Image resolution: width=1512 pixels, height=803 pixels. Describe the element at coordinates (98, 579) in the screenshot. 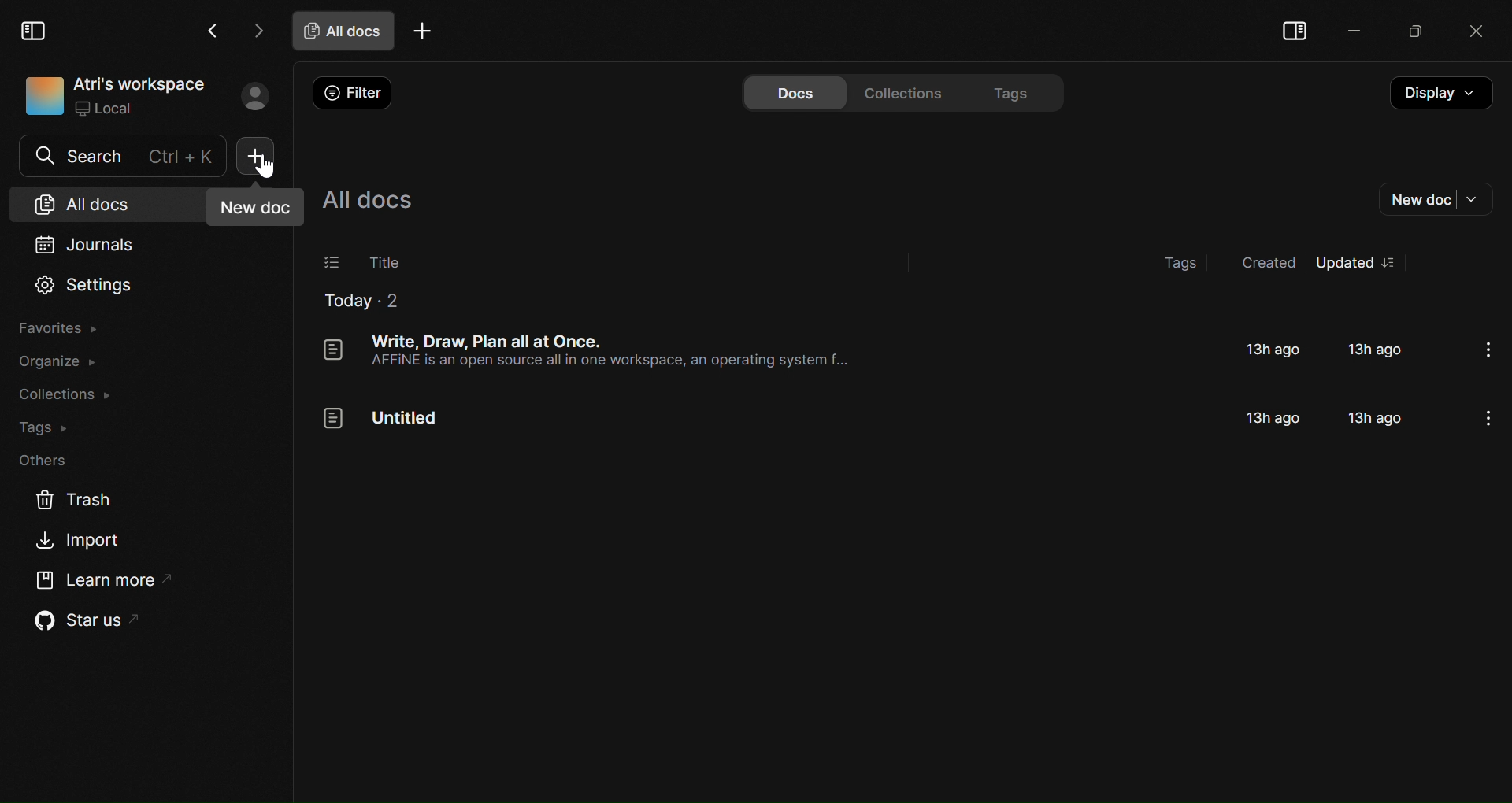

I see `Learn More` at that location.